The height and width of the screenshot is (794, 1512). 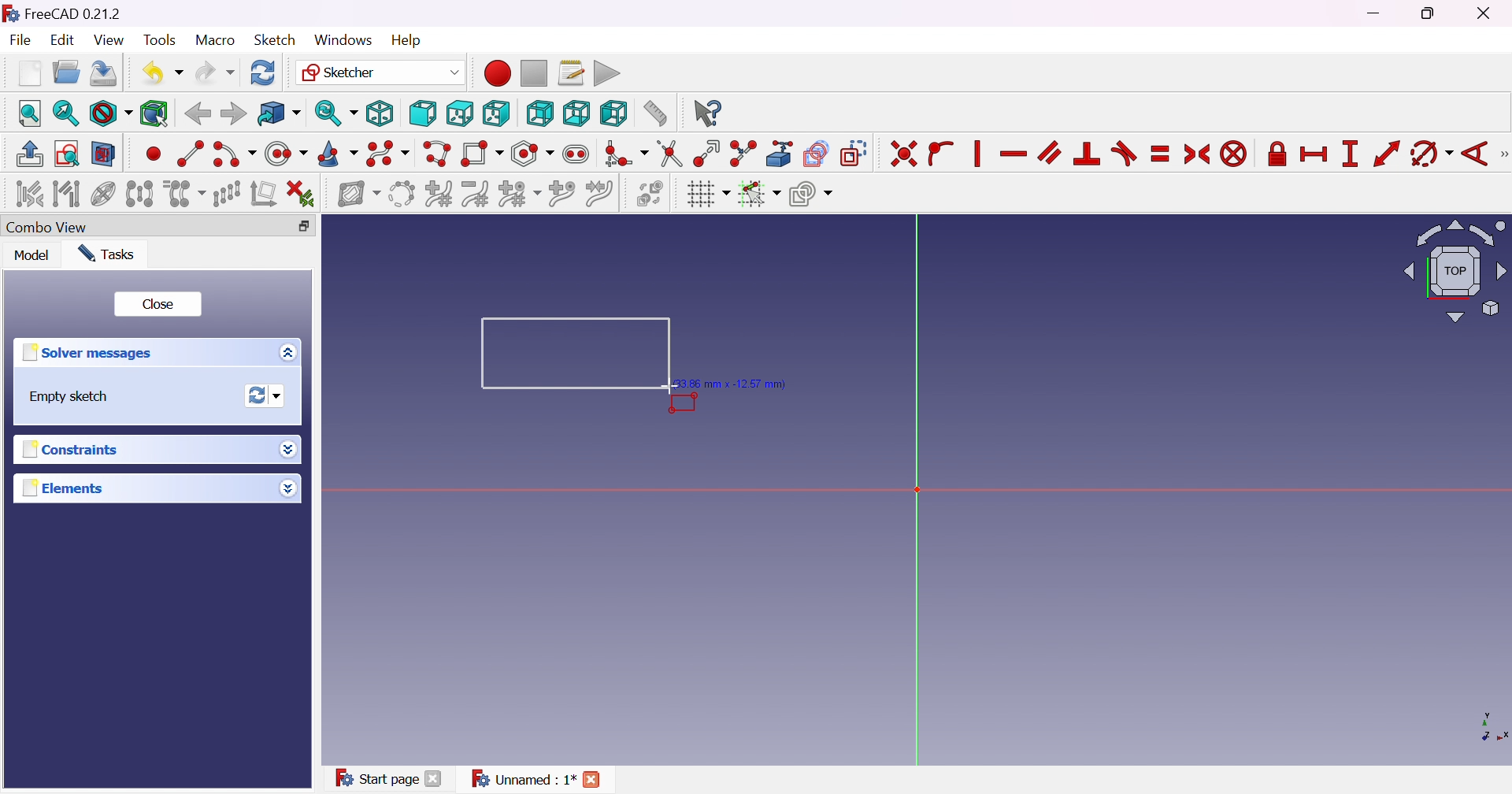 What do you see at coordinates (561, 193) in the screenshot?
I see `Insert knot` at bounding box center [561, 193].